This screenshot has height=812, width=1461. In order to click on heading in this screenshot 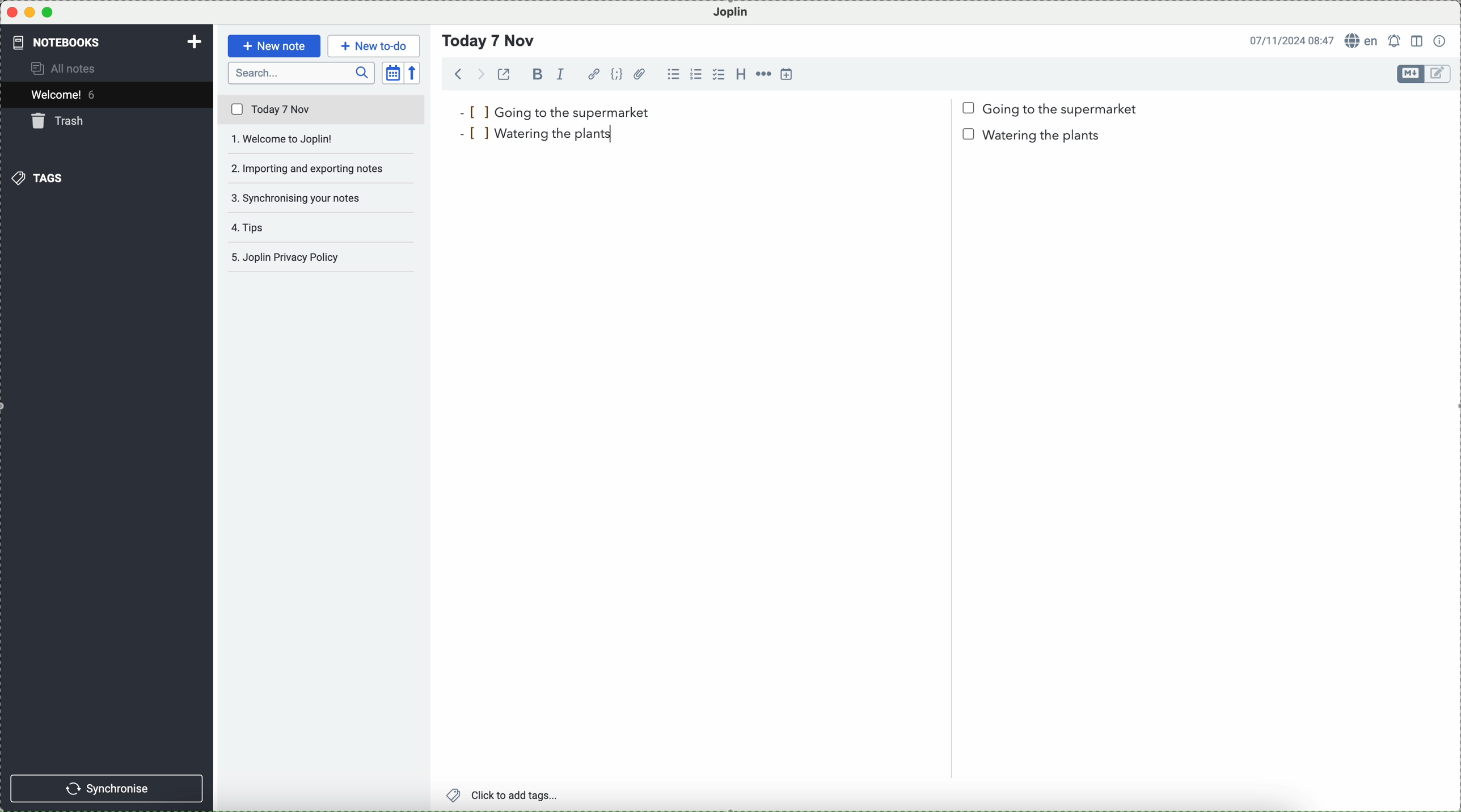, I will do `click(741, 73)`.